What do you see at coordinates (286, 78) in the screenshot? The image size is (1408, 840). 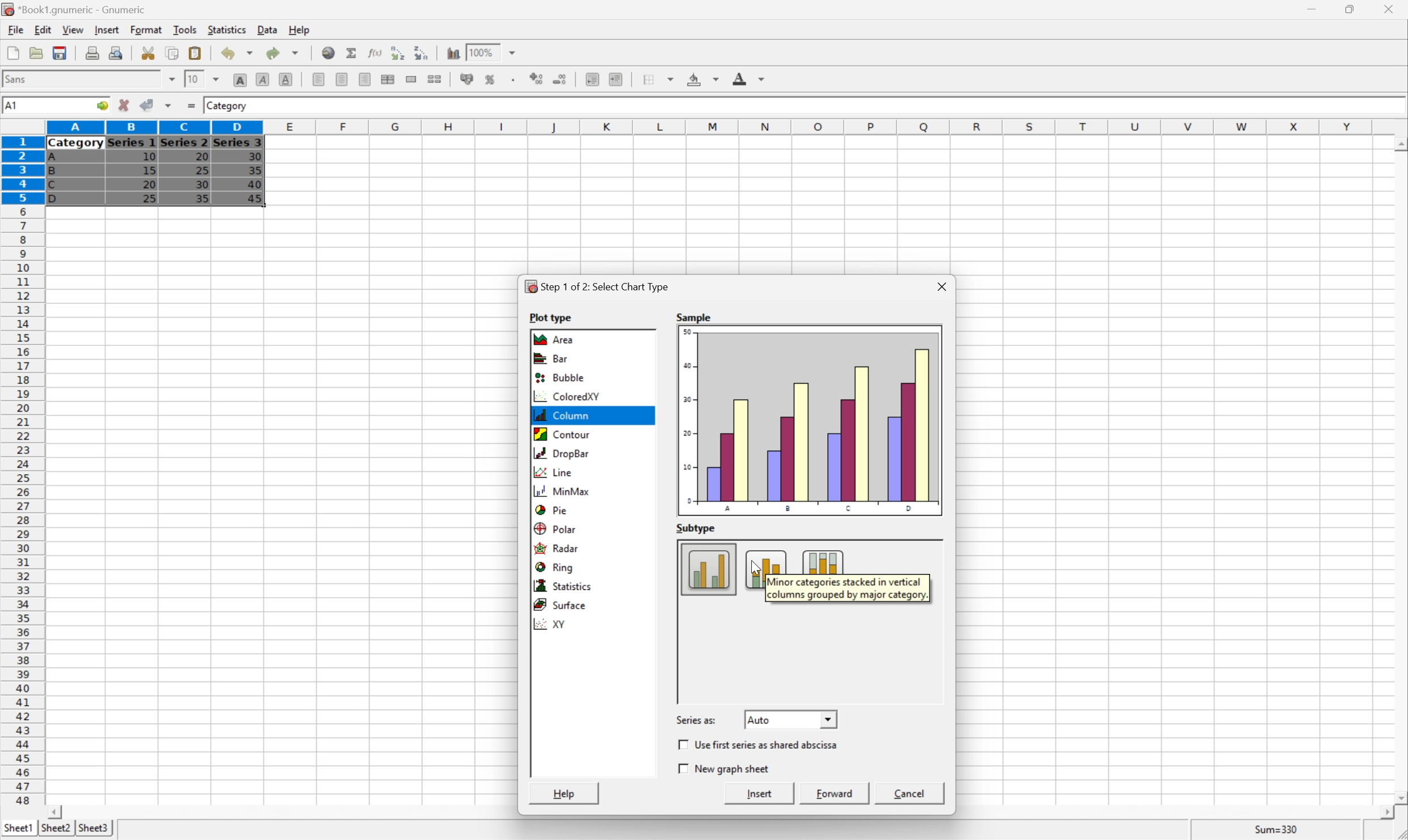 I see `Underline` at bounding box center [286, 78].